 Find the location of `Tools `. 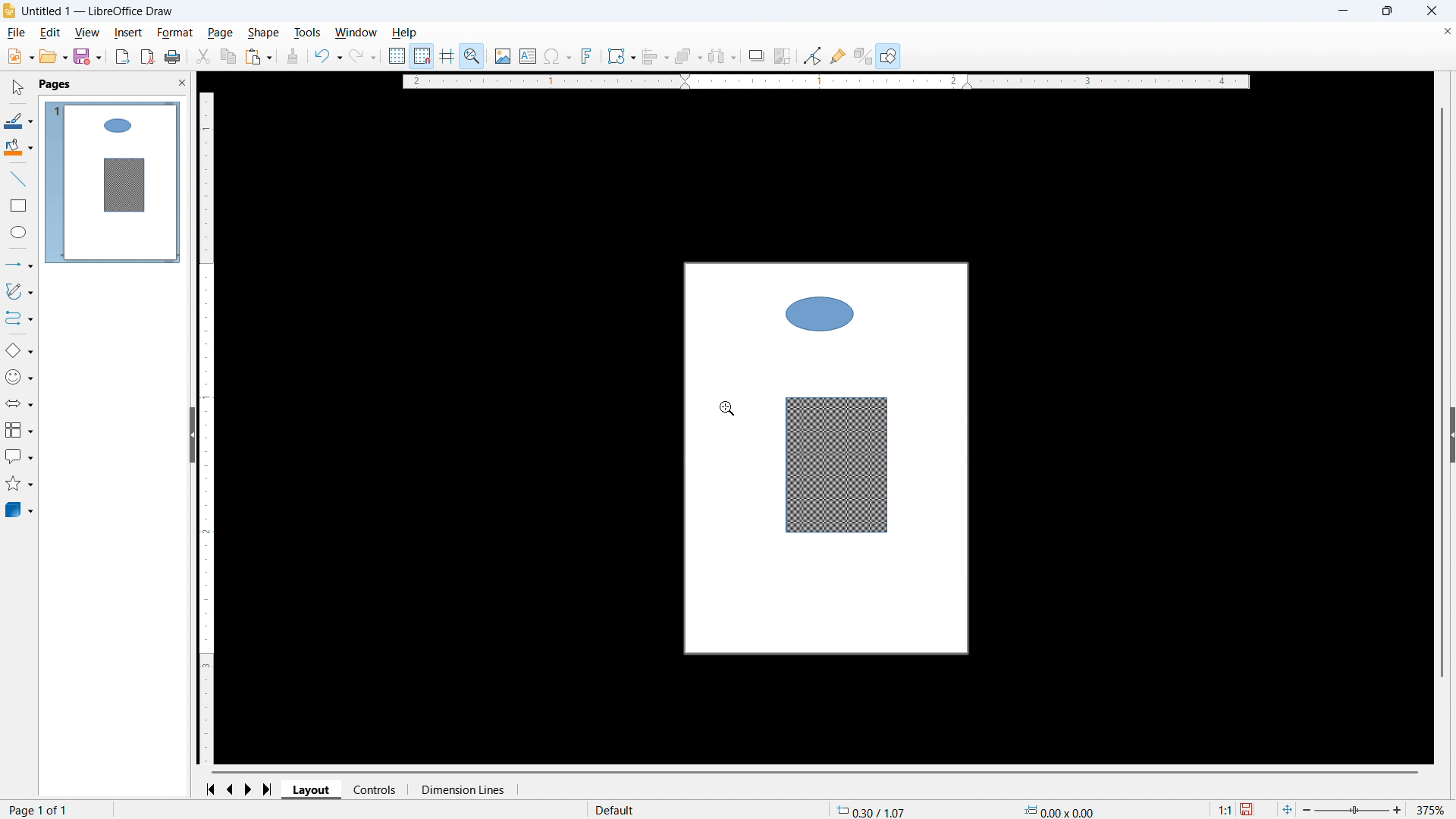

Tools  is located at coordinates (306, 33).